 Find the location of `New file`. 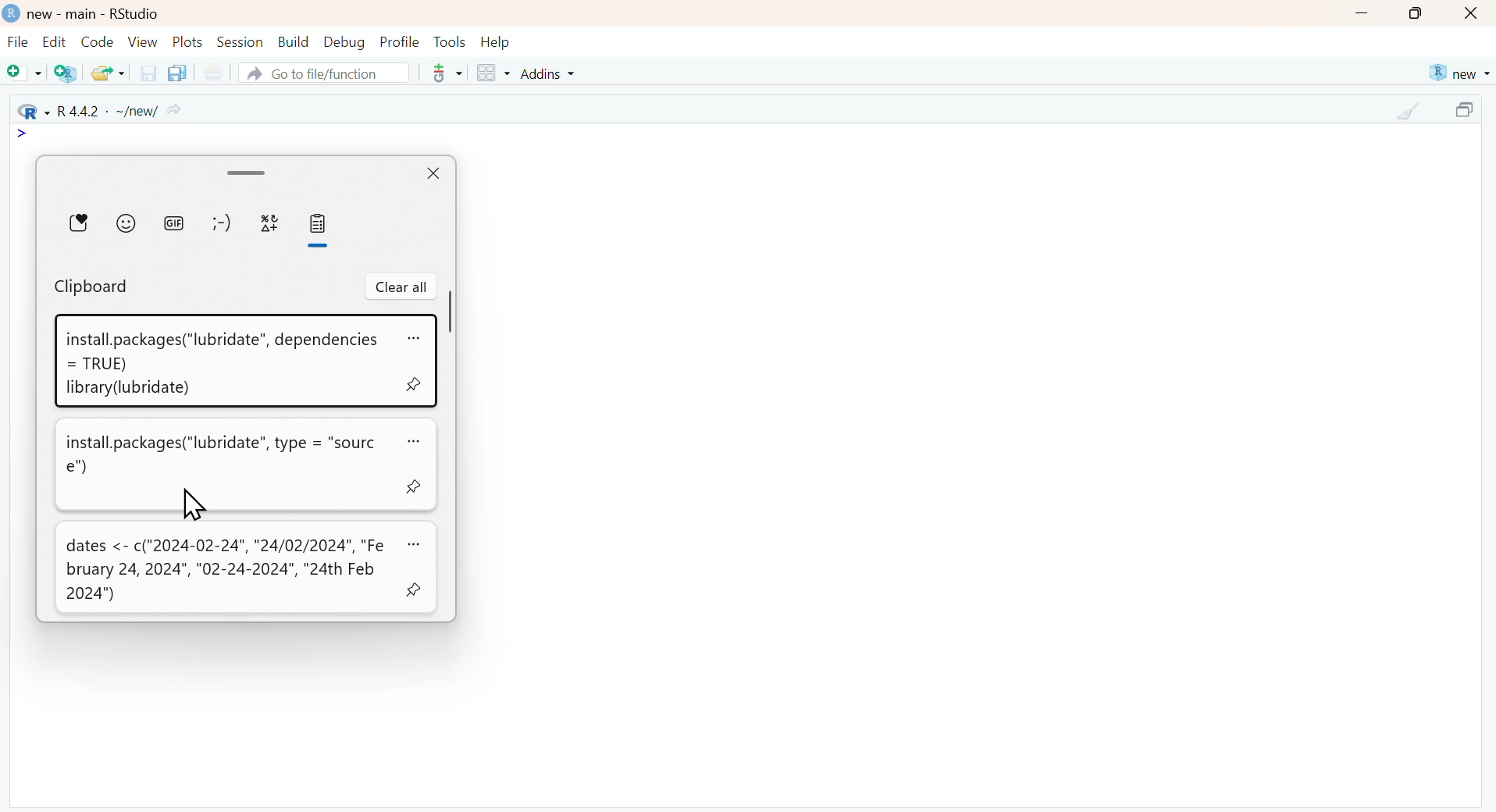

New file is located at coordinates (25, 74).